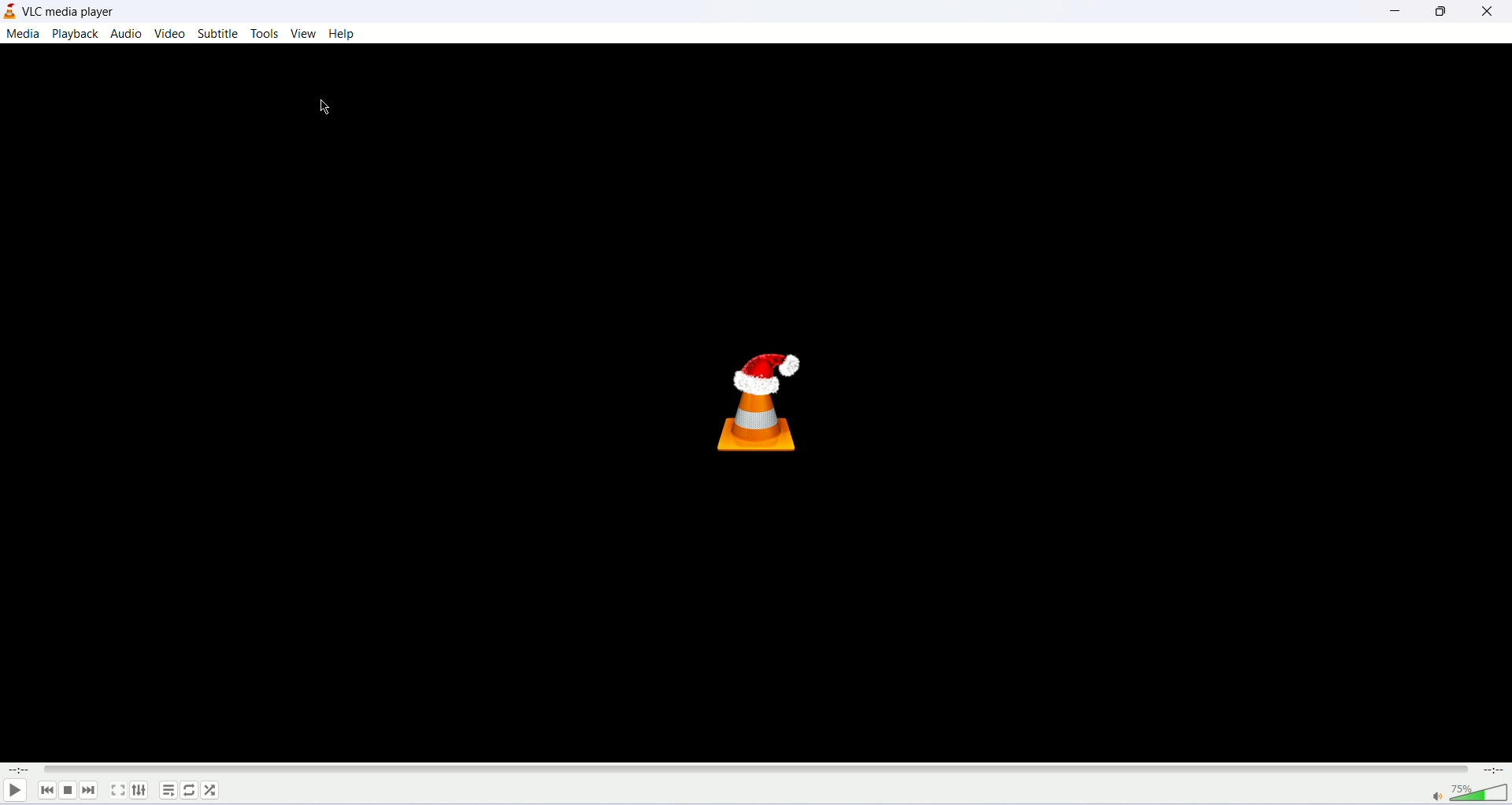 The width and height of the screenshot is (1512, 805). Describe the element at coordinates (22, 35) in the screenshot. I see `media` at that location.